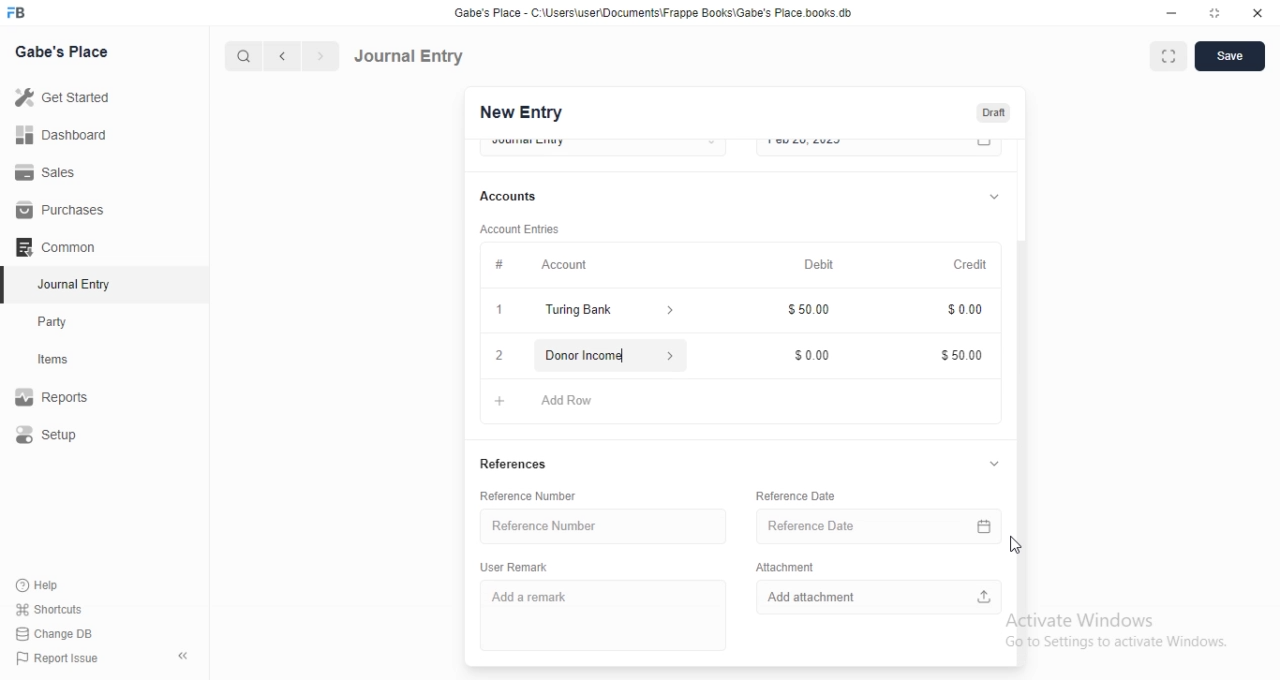  What do you see at coordinates (993, 114) in the screenshot?
I see `draft` at bounding box center [993, 114].